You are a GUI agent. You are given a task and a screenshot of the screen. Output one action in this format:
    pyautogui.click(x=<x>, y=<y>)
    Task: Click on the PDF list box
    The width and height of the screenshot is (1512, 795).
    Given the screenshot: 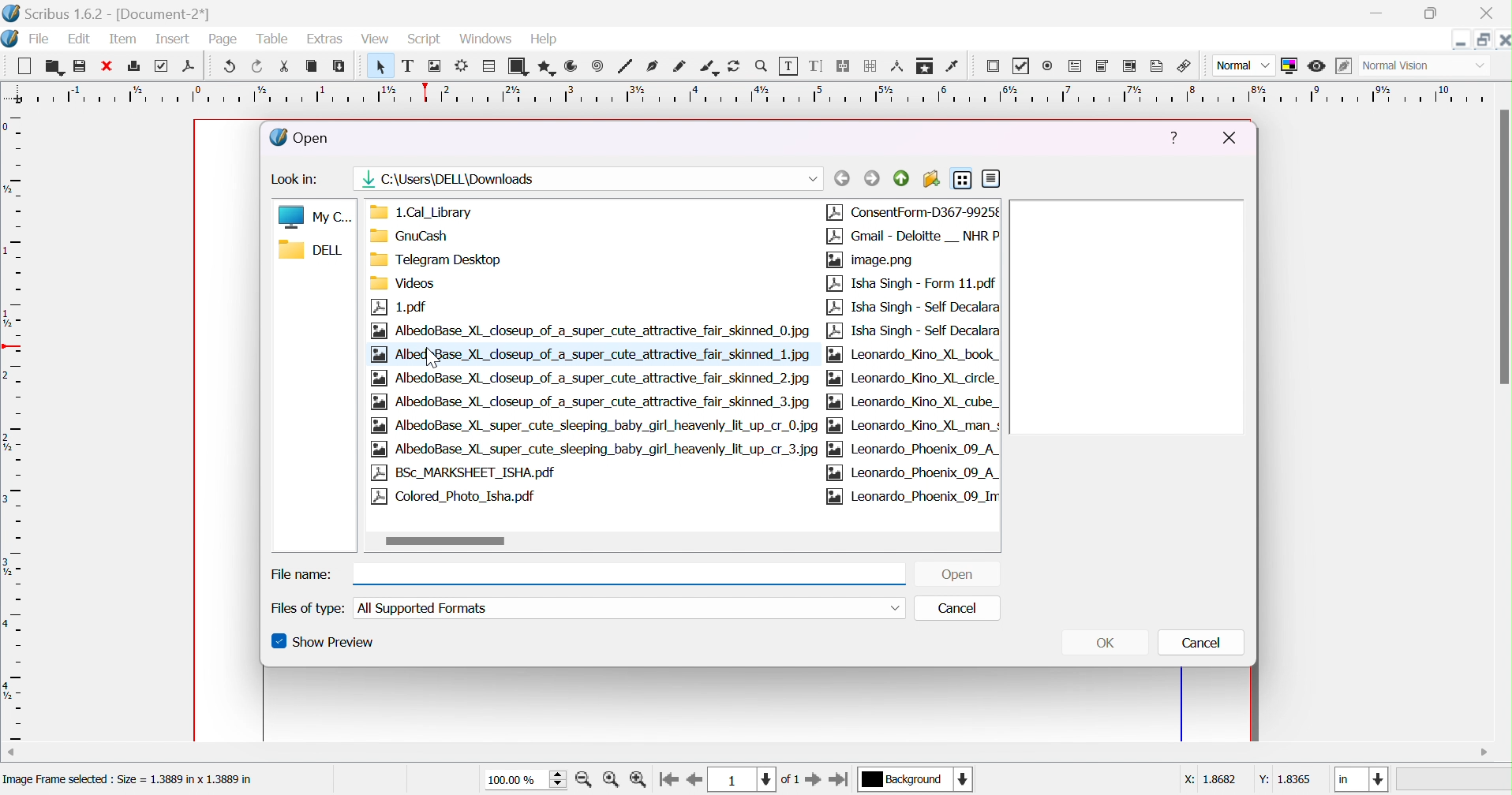 What is the action you would take?
    pyautogui.click(x=1128, y=65)
    